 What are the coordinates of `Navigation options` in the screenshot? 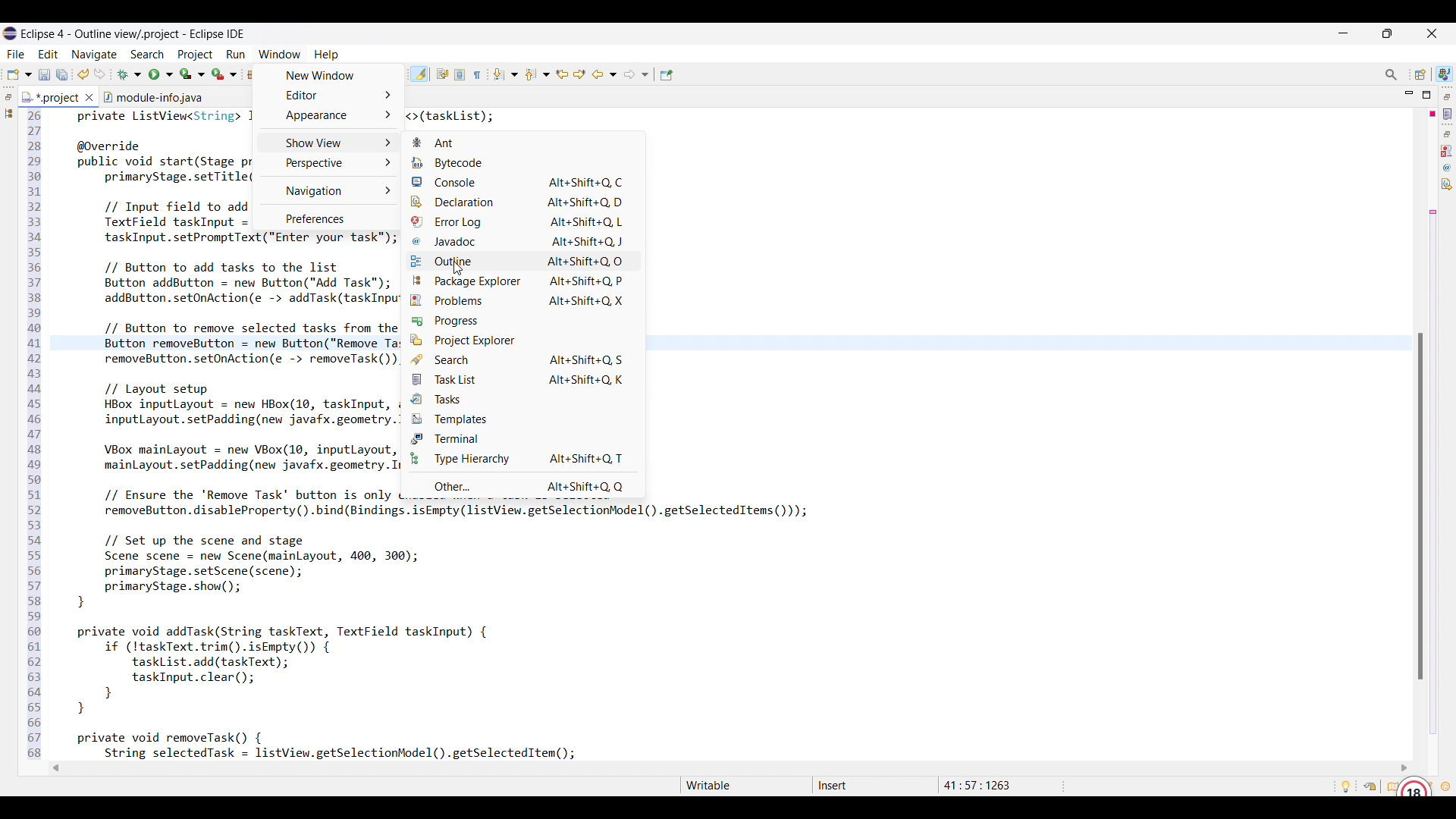 It's located at (327, 190).